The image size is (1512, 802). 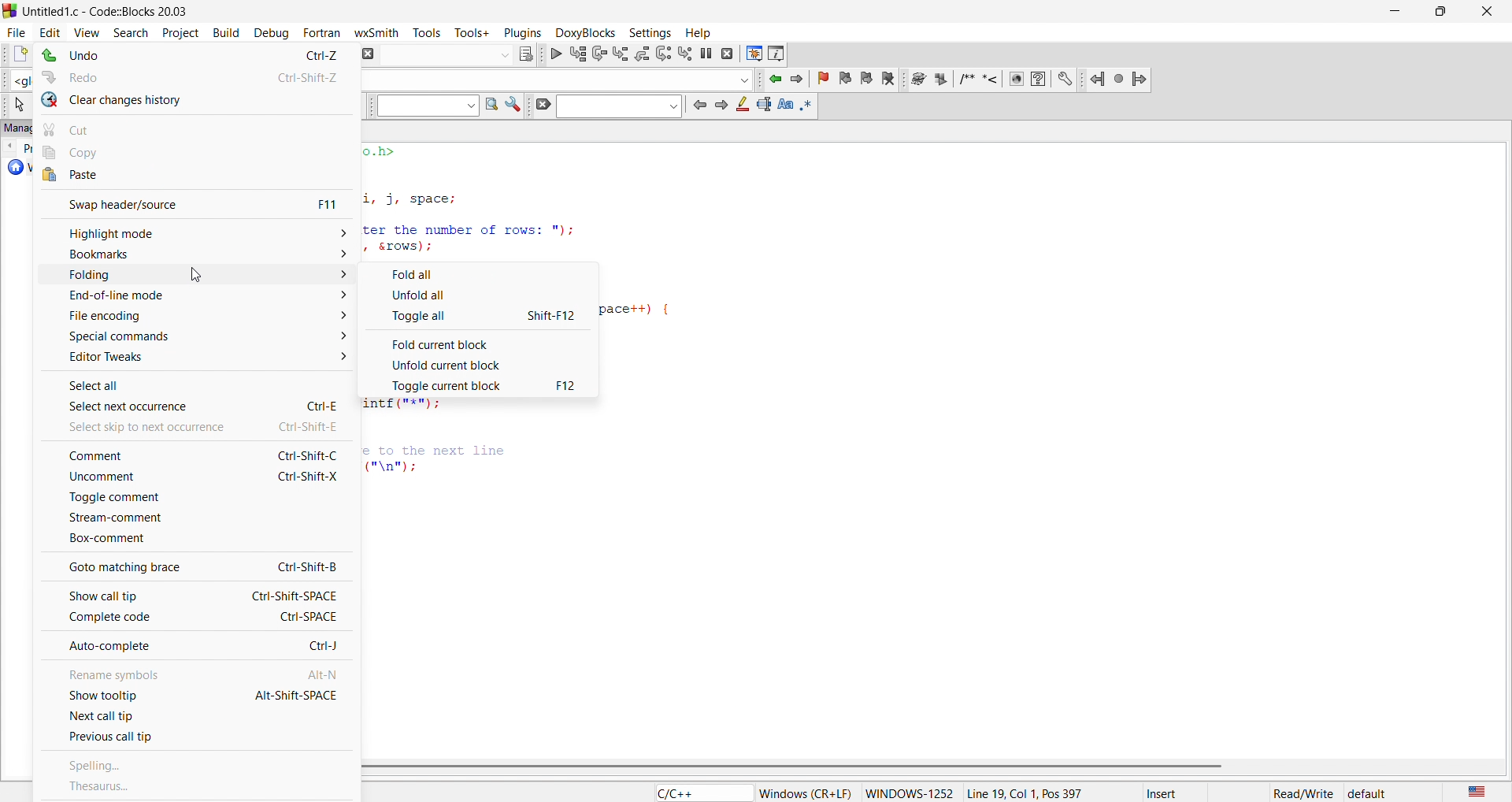 I want to click on complete code, so click(x=196, y=618).